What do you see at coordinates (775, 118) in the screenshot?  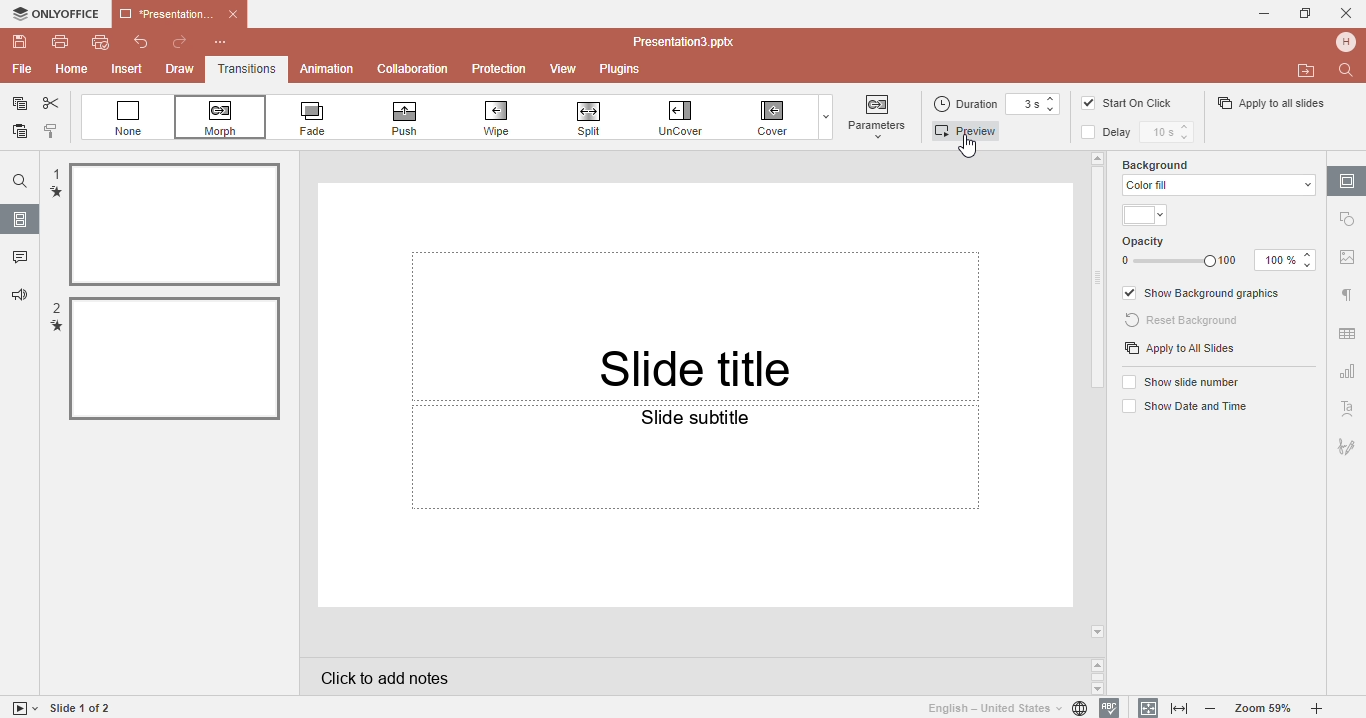 I see `Cover` at bounding box center [775, 118].